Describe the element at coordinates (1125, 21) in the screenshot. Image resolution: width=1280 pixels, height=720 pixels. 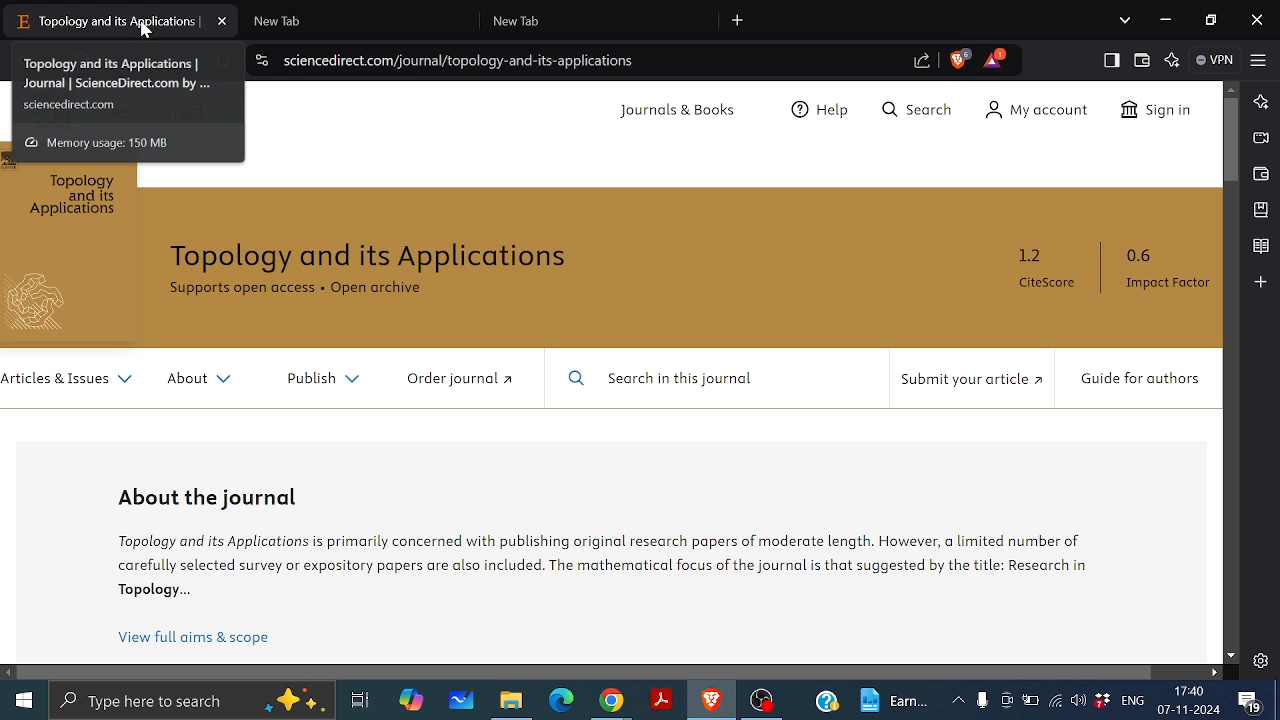
I see `Search tab` at that location.